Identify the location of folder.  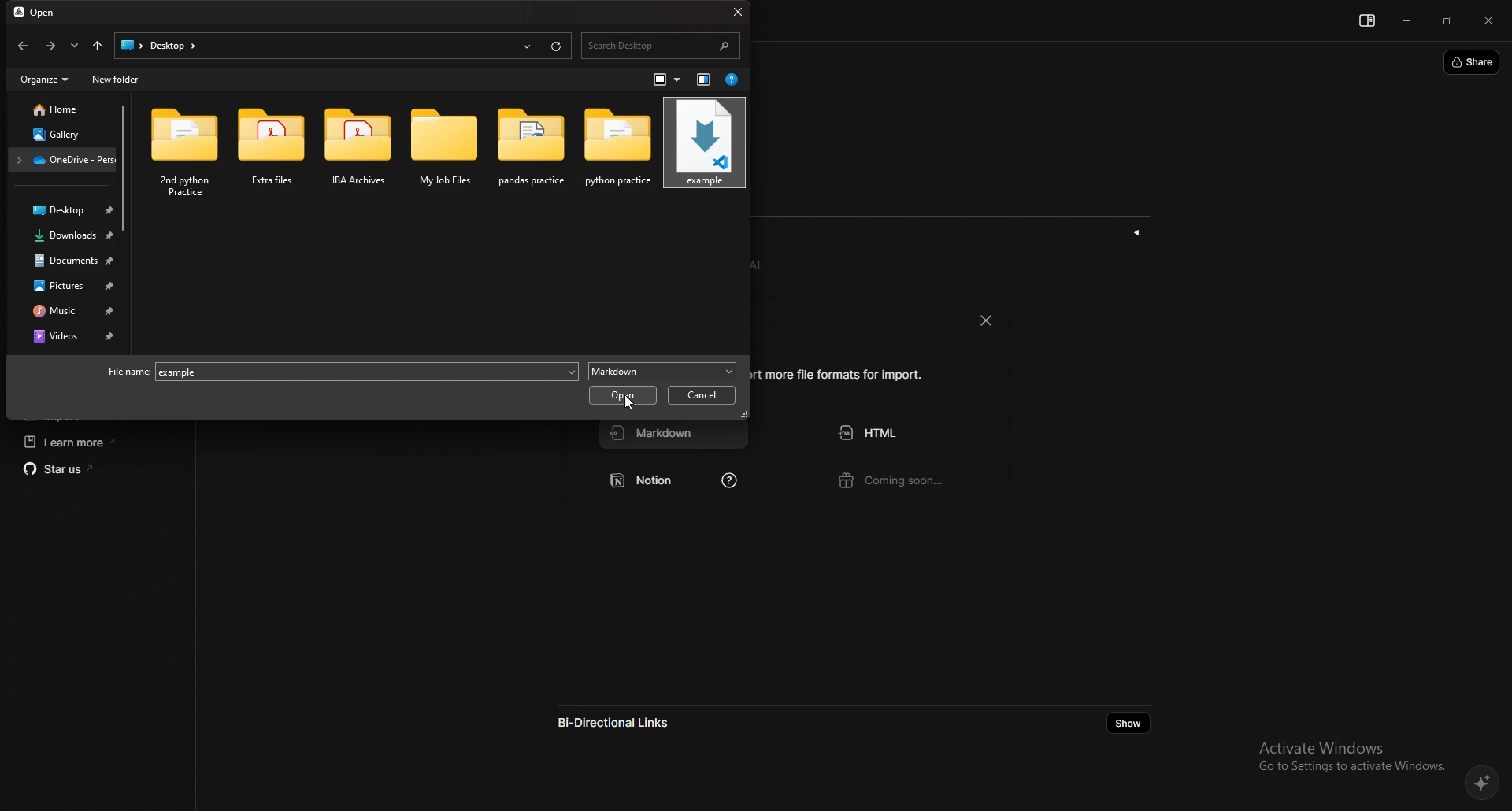
(273, 151).